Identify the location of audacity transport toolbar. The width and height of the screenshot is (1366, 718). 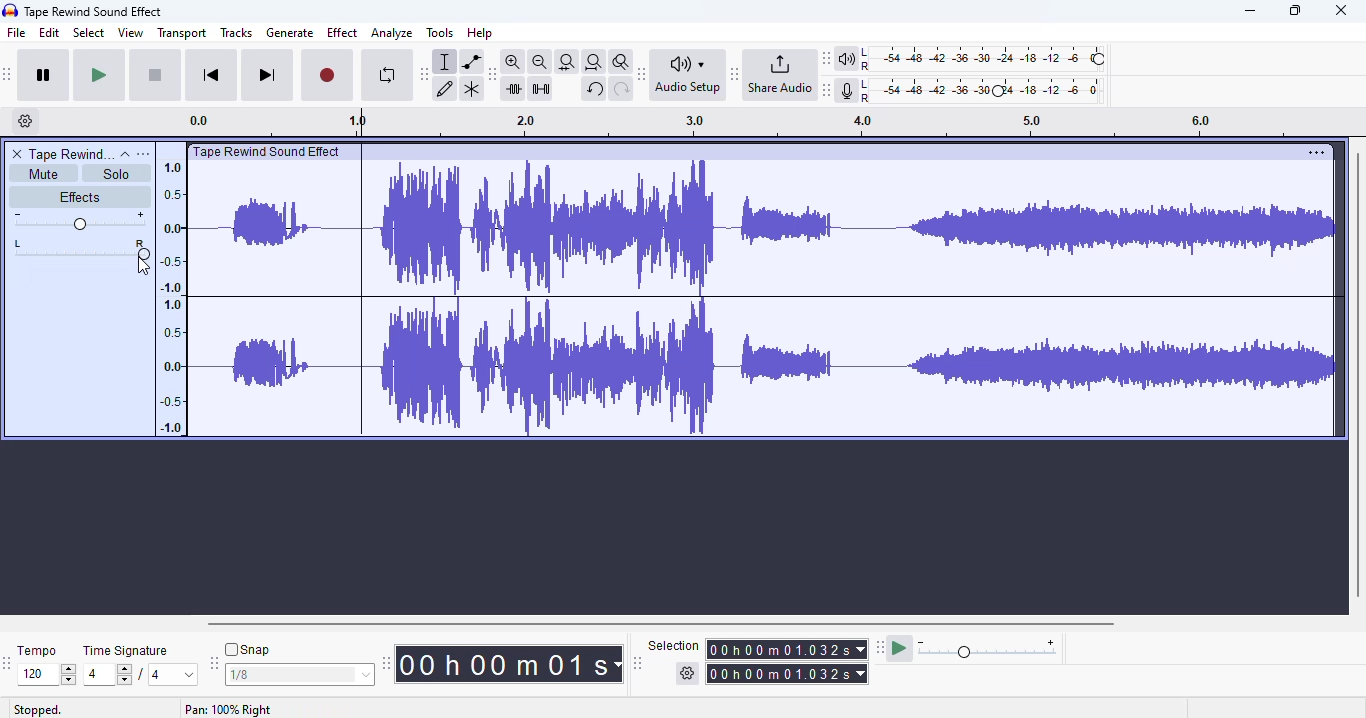
(7, 73).